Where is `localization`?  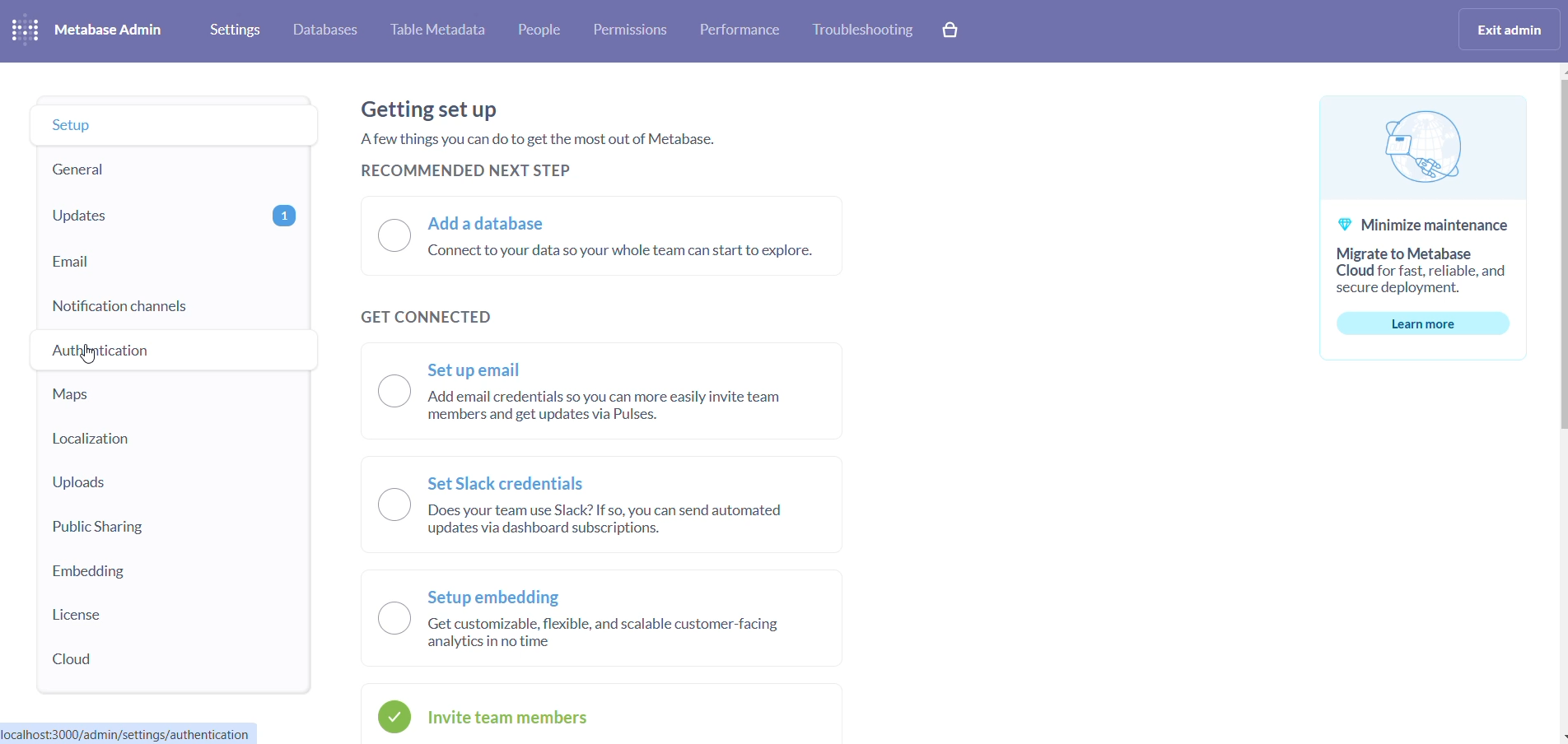
localization is located at coordinates (140, 440).